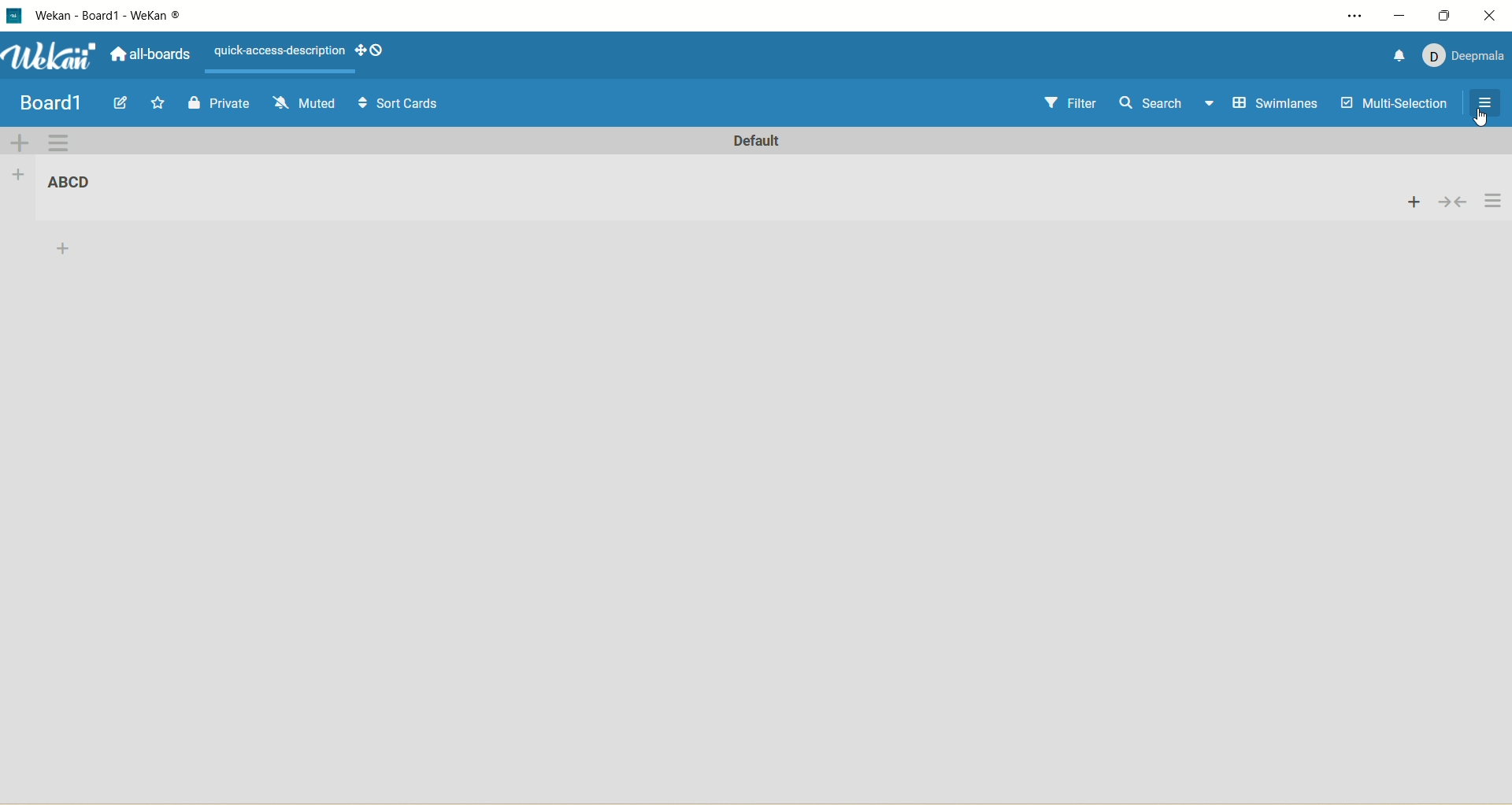 This screenshot has width=1512, height=805. What do you see at coordinates (18, 175) in the screenshot?
I see `add list` at bounding box center [18, 175].